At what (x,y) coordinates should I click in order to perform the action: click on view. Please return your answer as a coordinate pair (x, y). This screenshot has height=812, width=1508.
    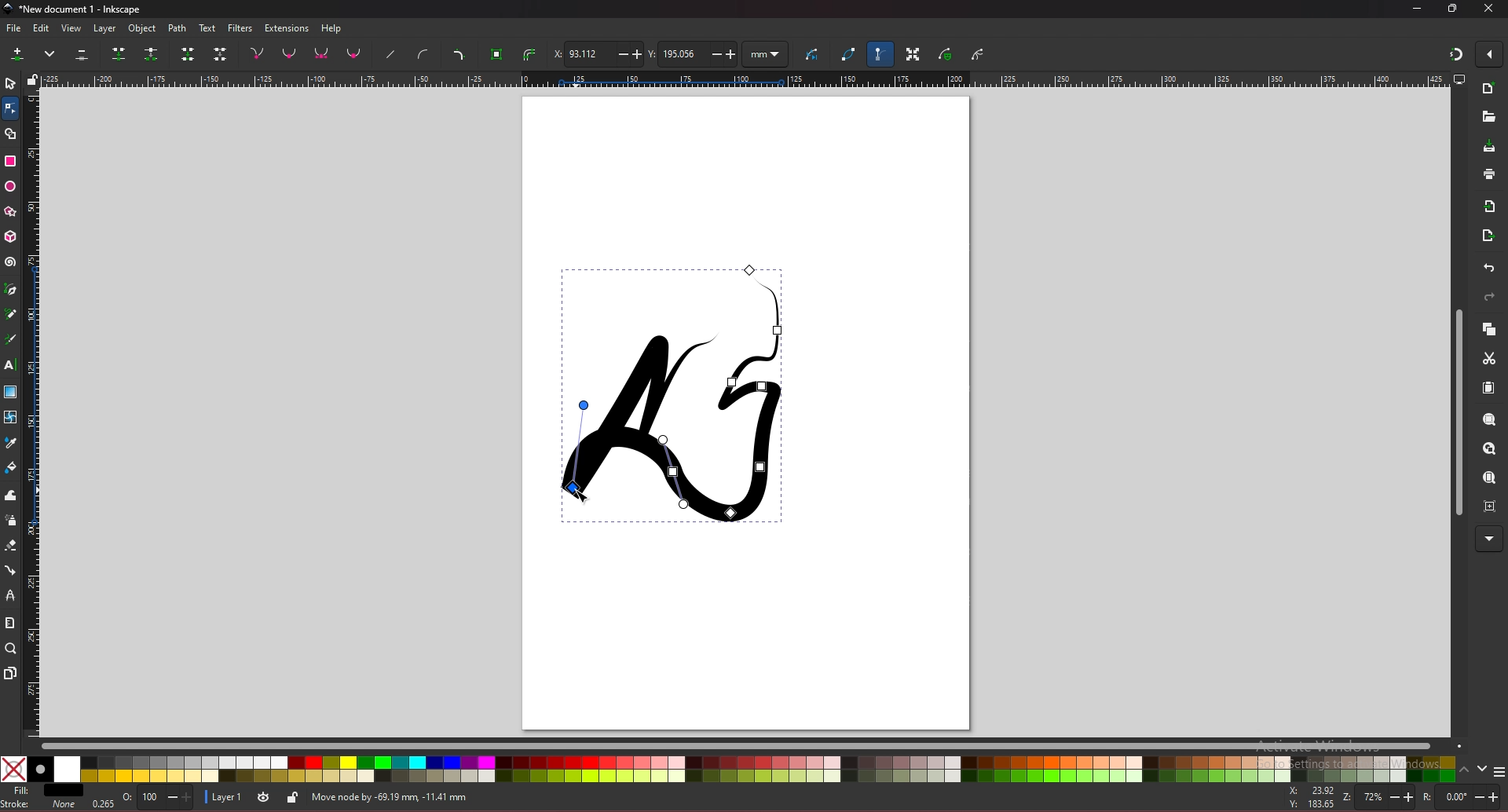
    Looking at the image, I should click on (71, 28).